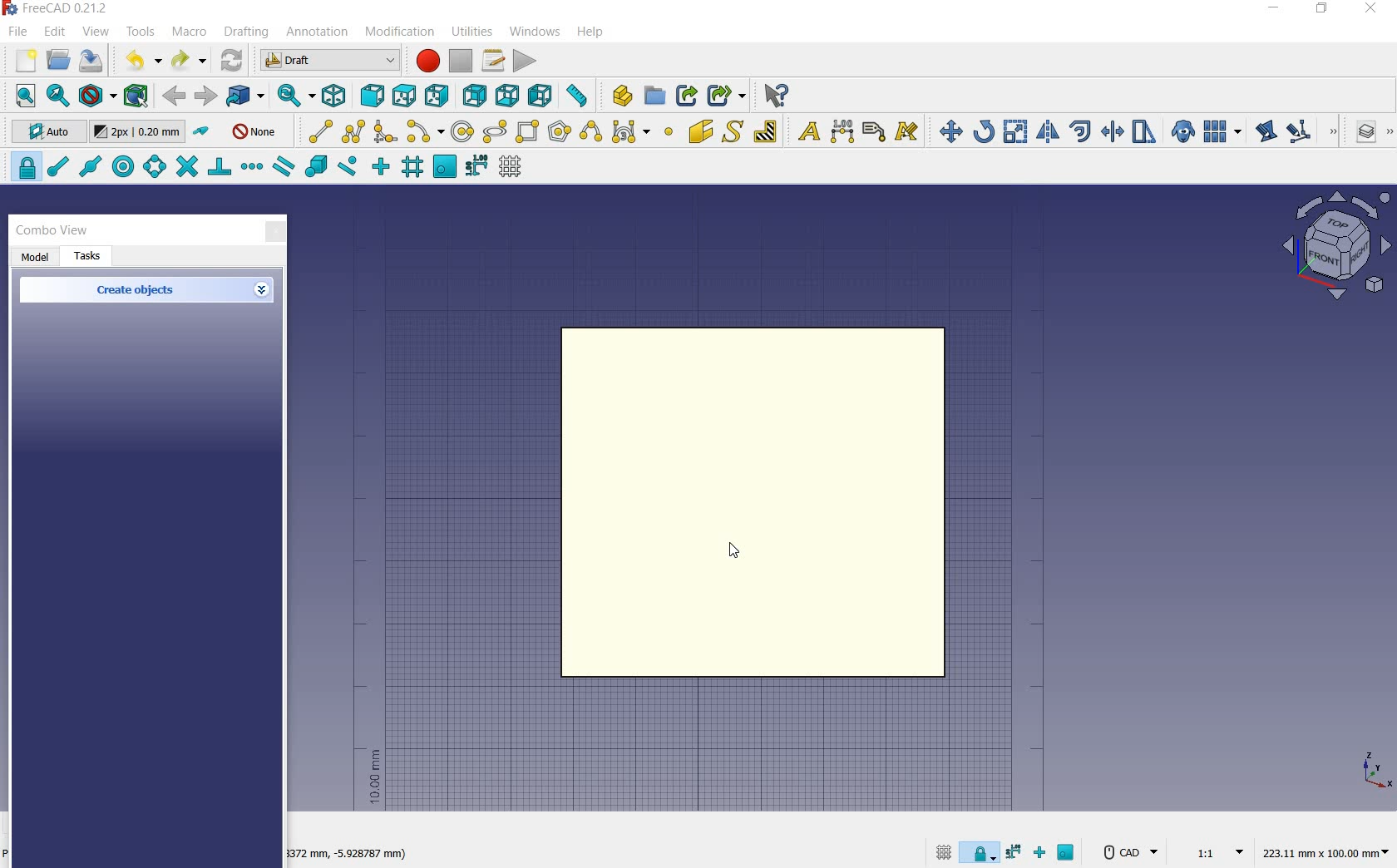 The width and height of the screenshot is (1397, 868). Describe the element at coordinates (1214, 851) in the screenshot. I see `set scale` at that location.